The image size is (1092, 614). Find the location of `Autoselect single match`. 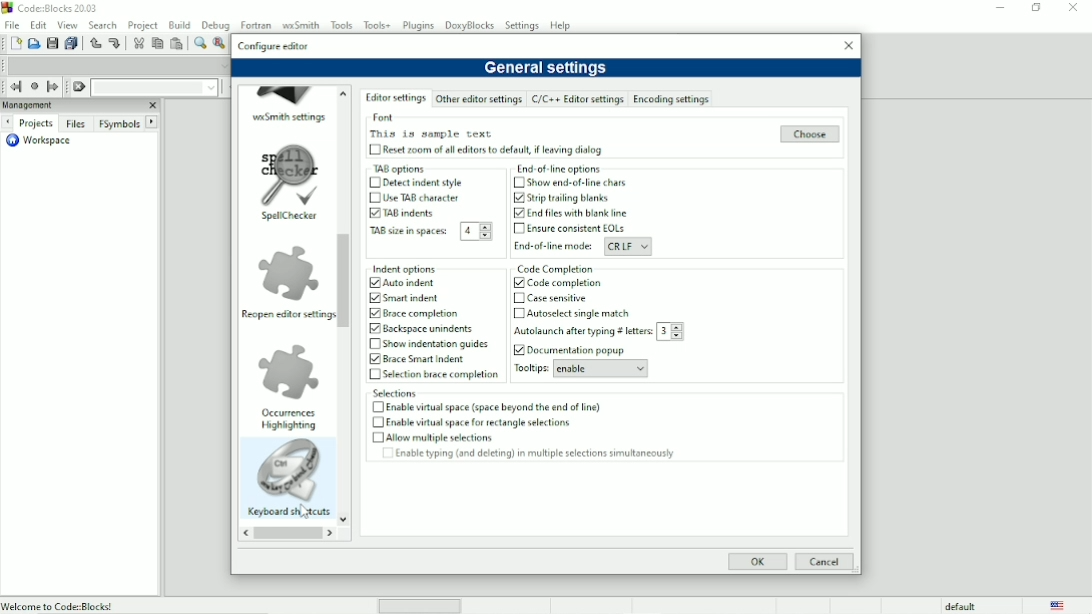

Autoselect single match is located at coordinates (578, 314).